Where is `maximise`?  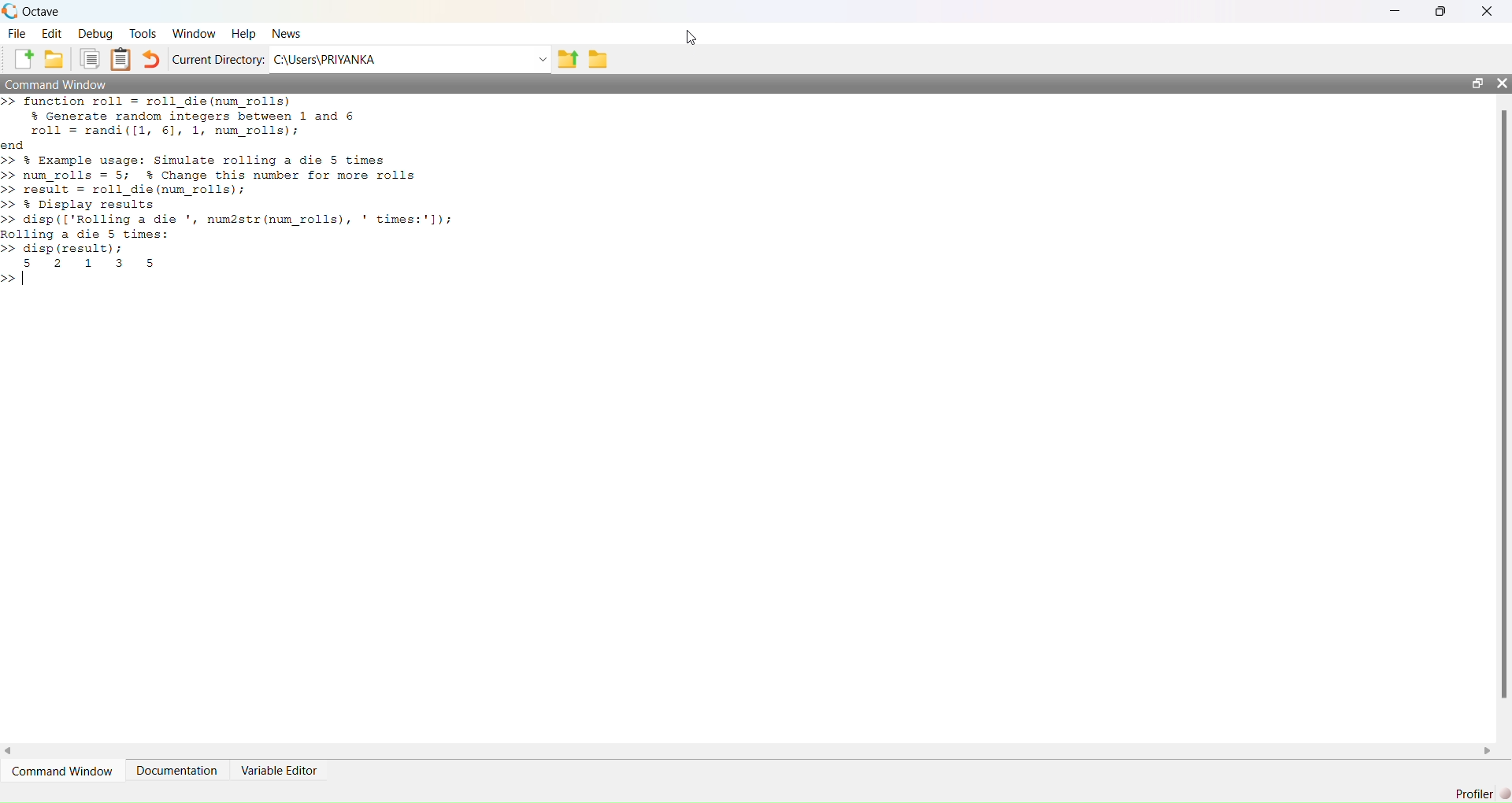
maximise is located at coordinates (1441, 12).